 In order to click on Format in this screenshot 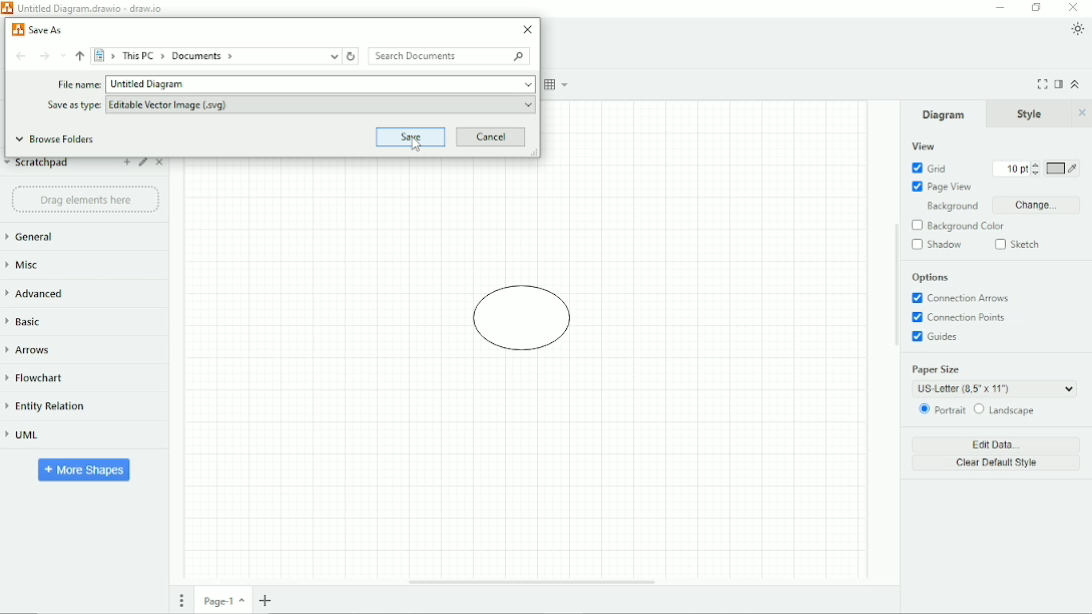, I will do `click(1058, 85)`.